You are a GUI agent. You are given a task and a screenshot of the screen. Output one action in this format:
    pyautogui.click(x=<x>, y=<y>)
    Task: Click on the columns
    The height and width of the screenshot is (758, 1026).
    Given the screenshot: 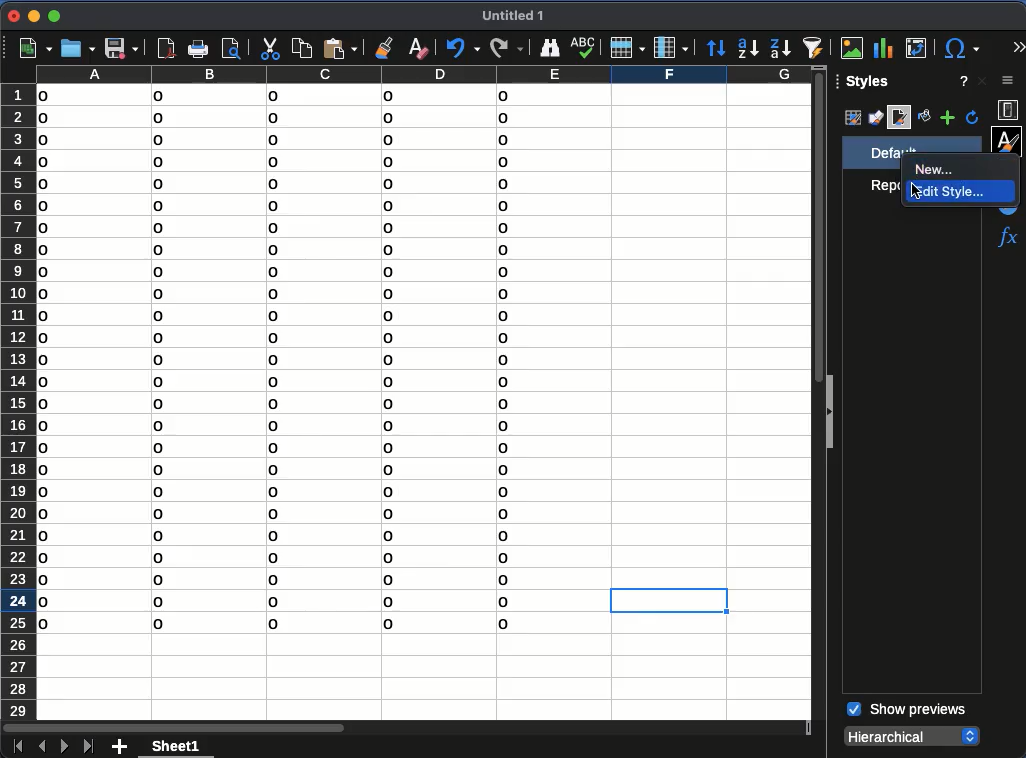 What is the action you would take?
    pyautogui.click(x=419, y=75)
    